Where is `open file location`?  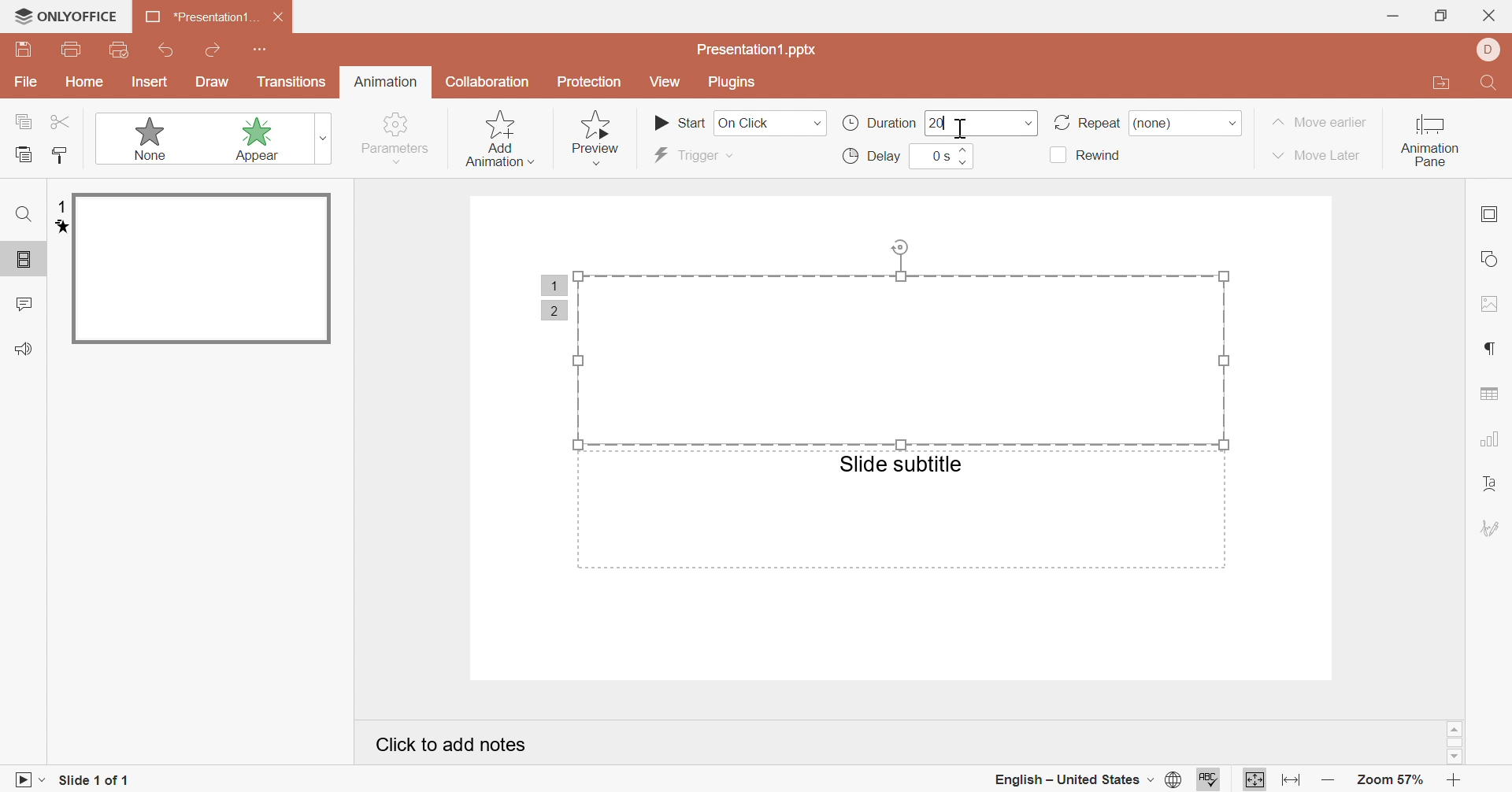
open file location is located at coordinates (1447, 83).